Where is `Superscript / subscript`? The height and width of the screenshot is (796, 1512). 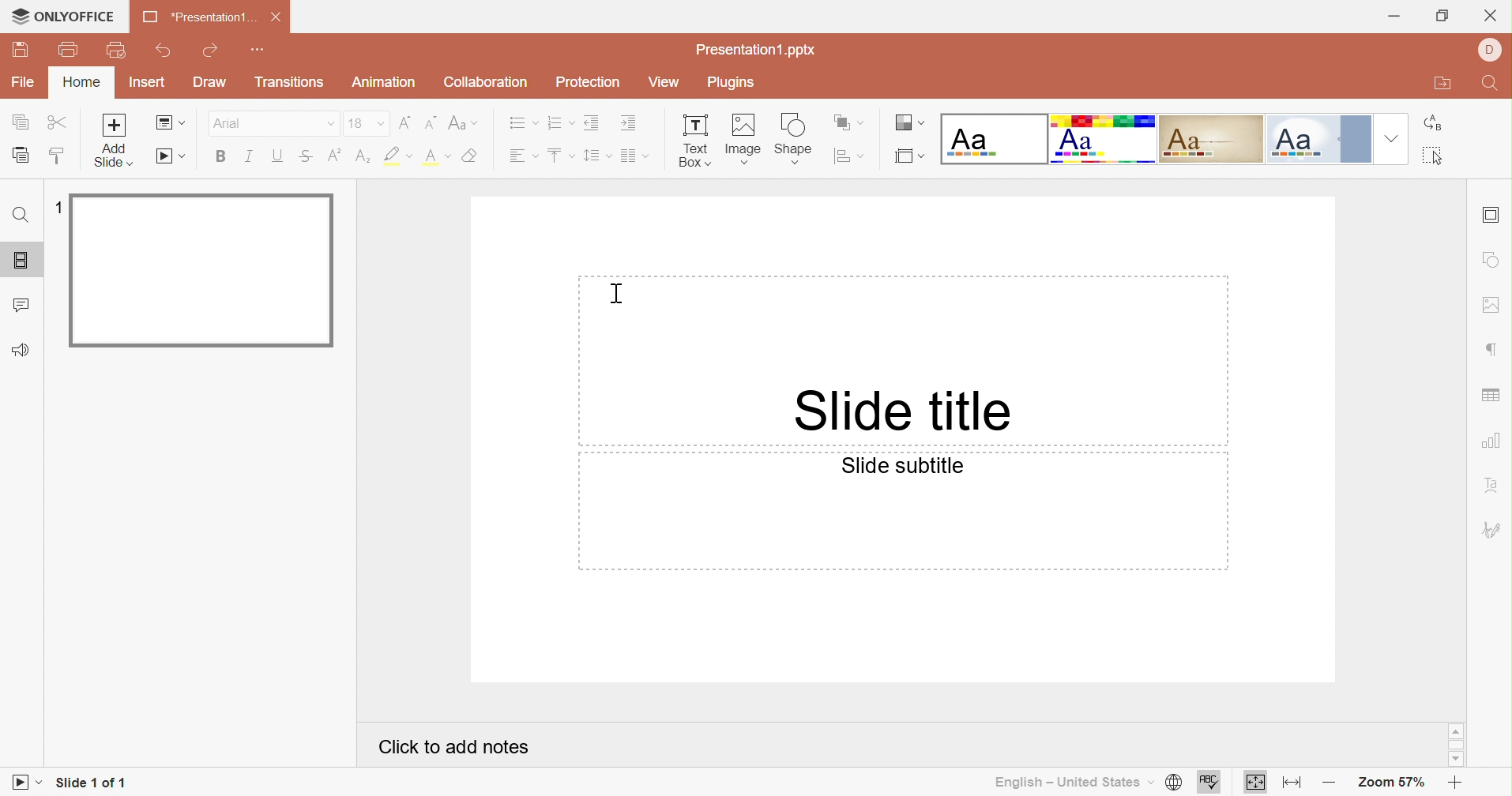 Superscript / subscript is located at coordinates (439, 157).